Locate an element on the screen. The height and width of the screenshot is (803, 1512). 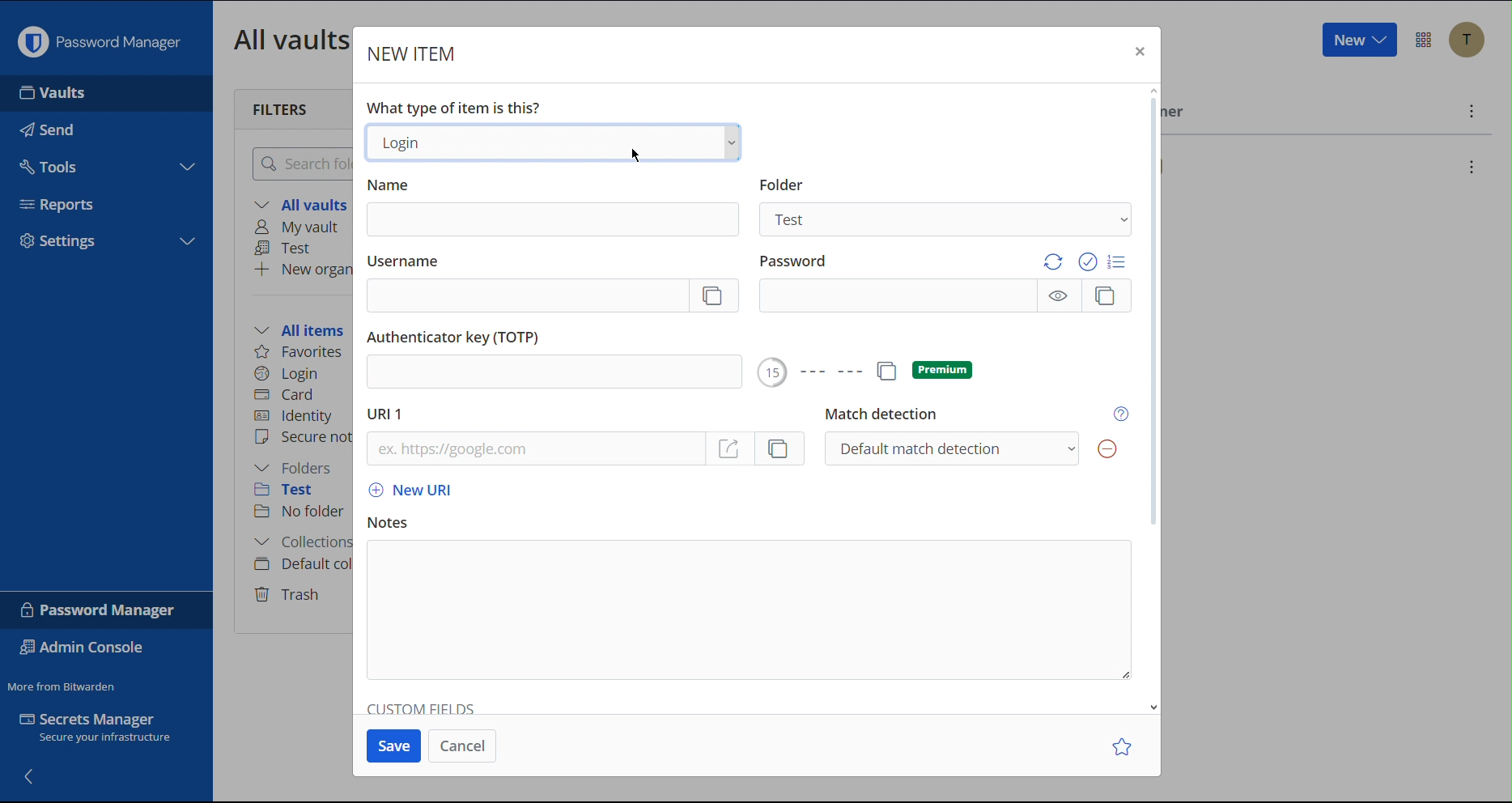
Password Options is located at coordinates (1085, 261).